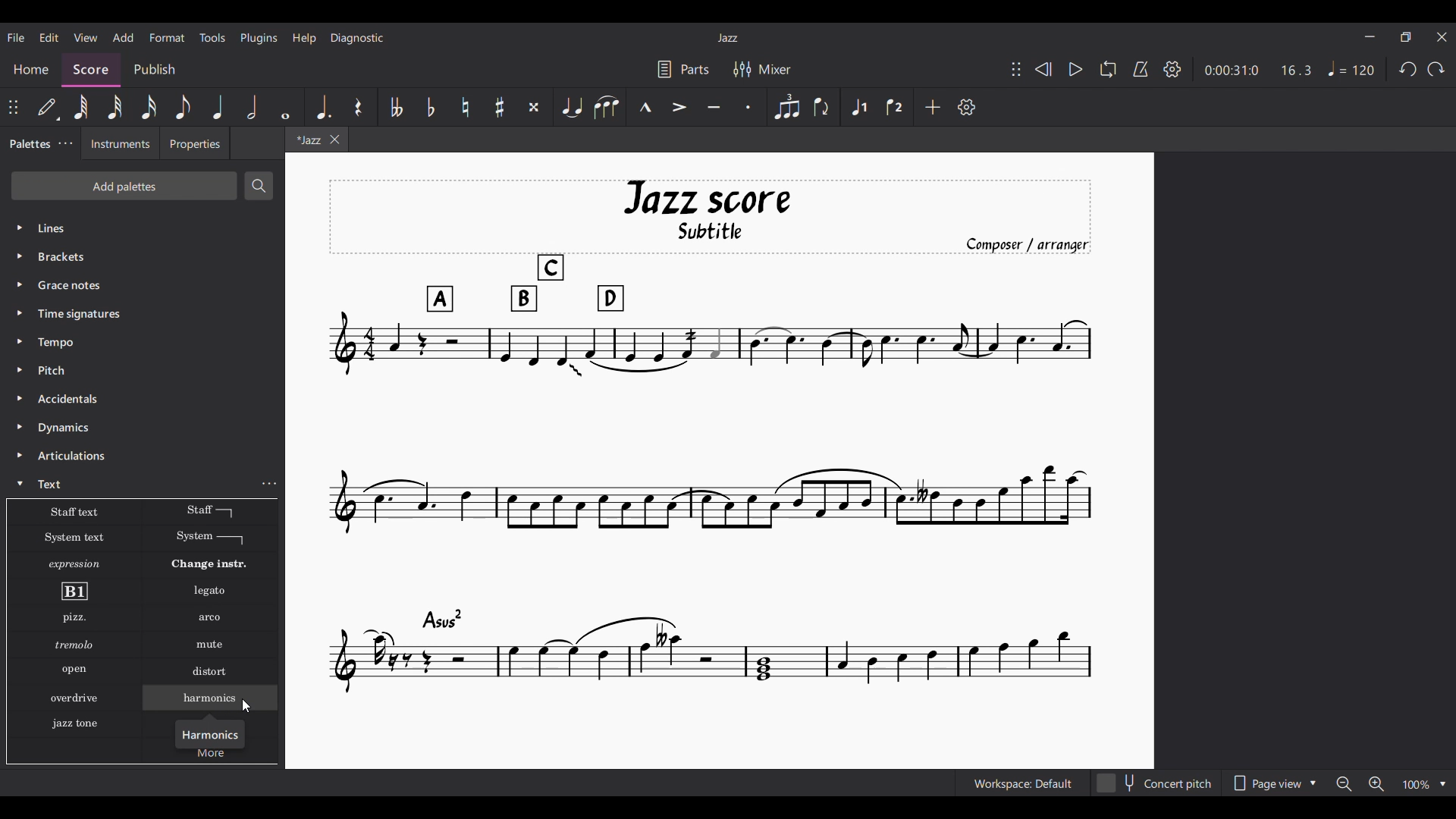 The width and height of the screenshot is (1456, 819). I want to click on View menu, so click(86, 38).